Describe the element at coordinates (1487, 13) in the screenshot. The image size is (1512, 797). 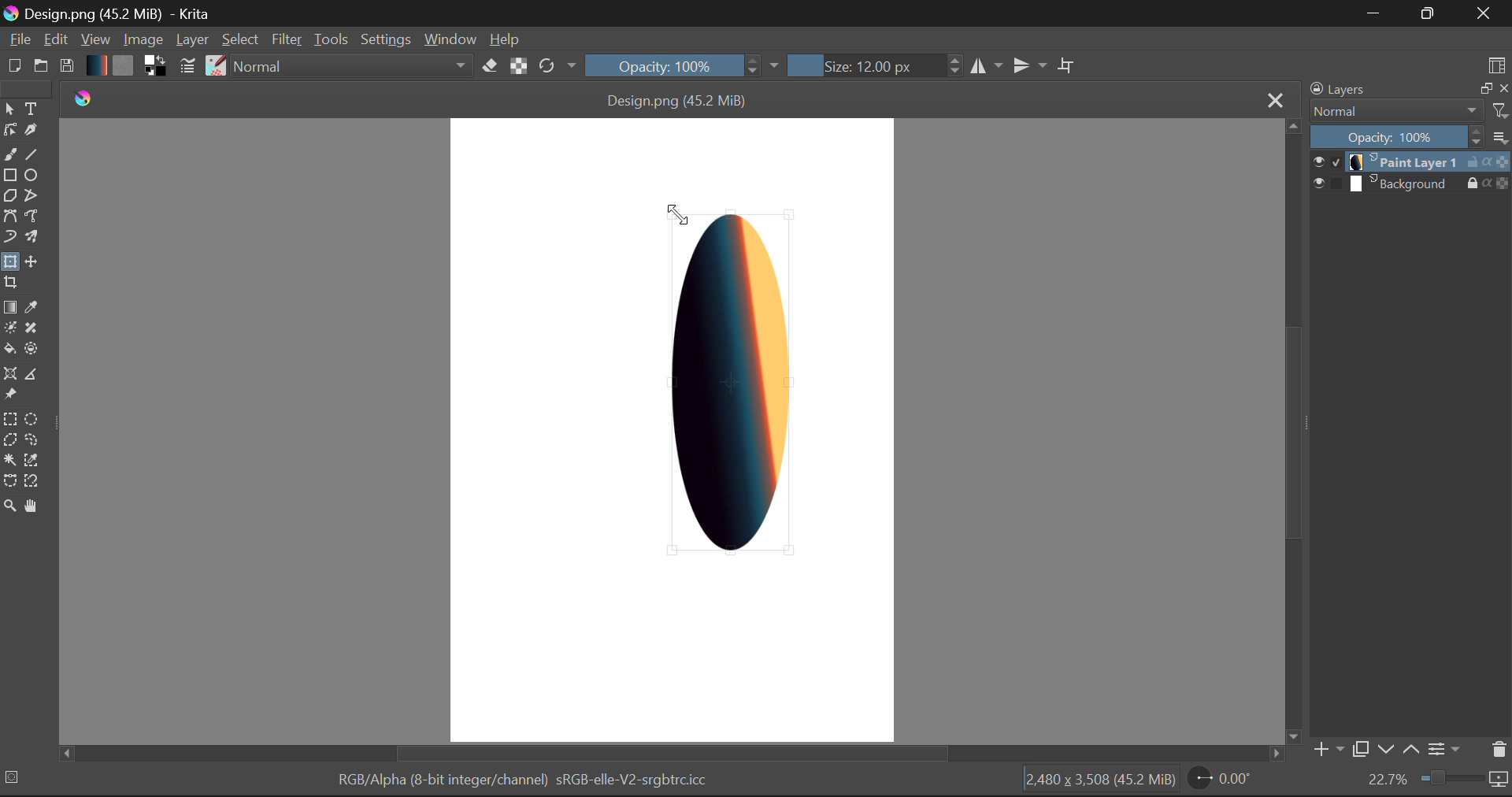
I see `Close` at that location.